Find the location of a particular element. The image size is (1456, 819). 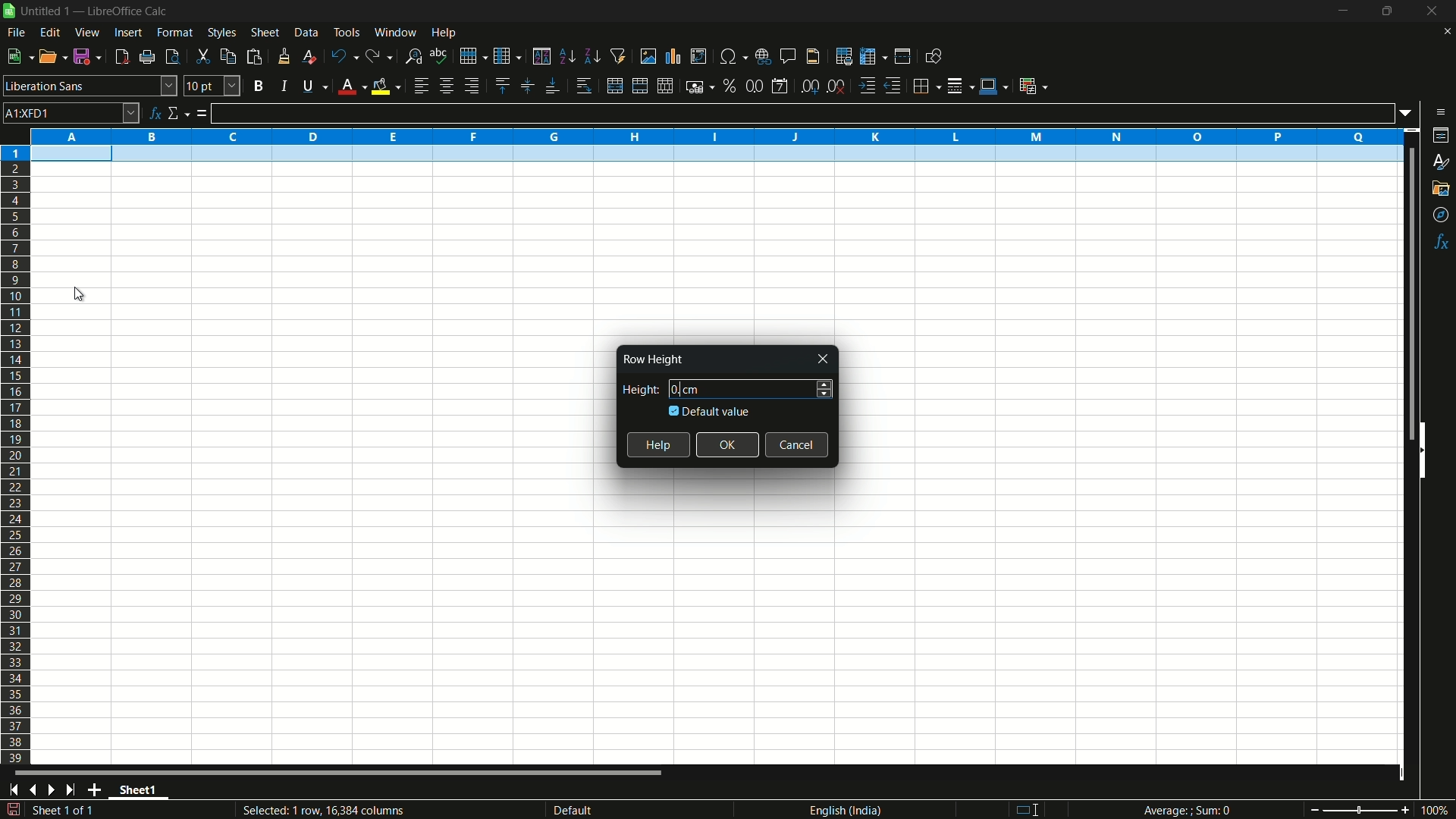

scroll to last sheet is located at coordinates (75, 790).